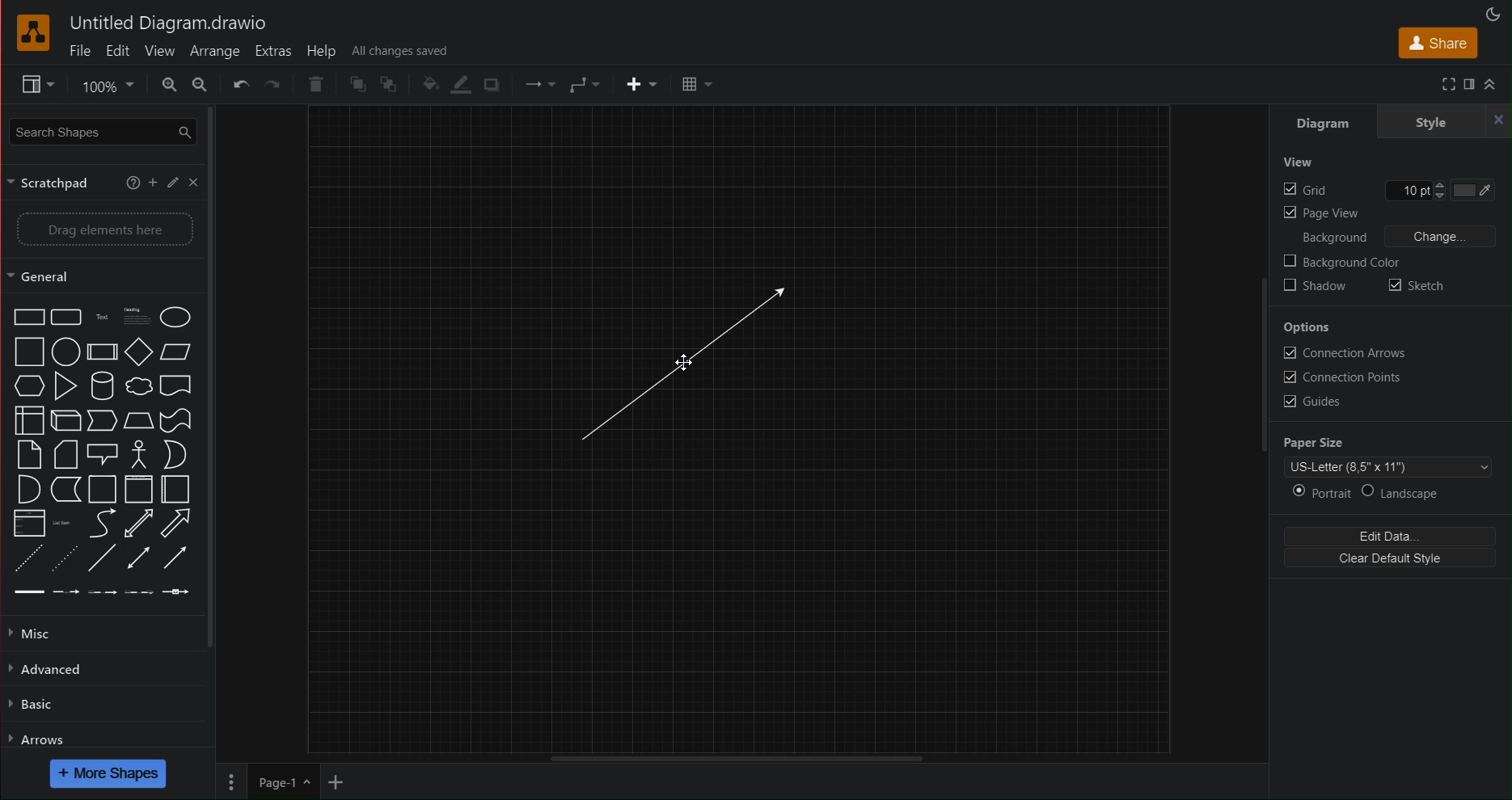 The height and width of the screenshot is (800, 1512). What do you see at coordinates (357, 84) in the screenshot?
I see `Send to front` at bounding box center [357, 84].